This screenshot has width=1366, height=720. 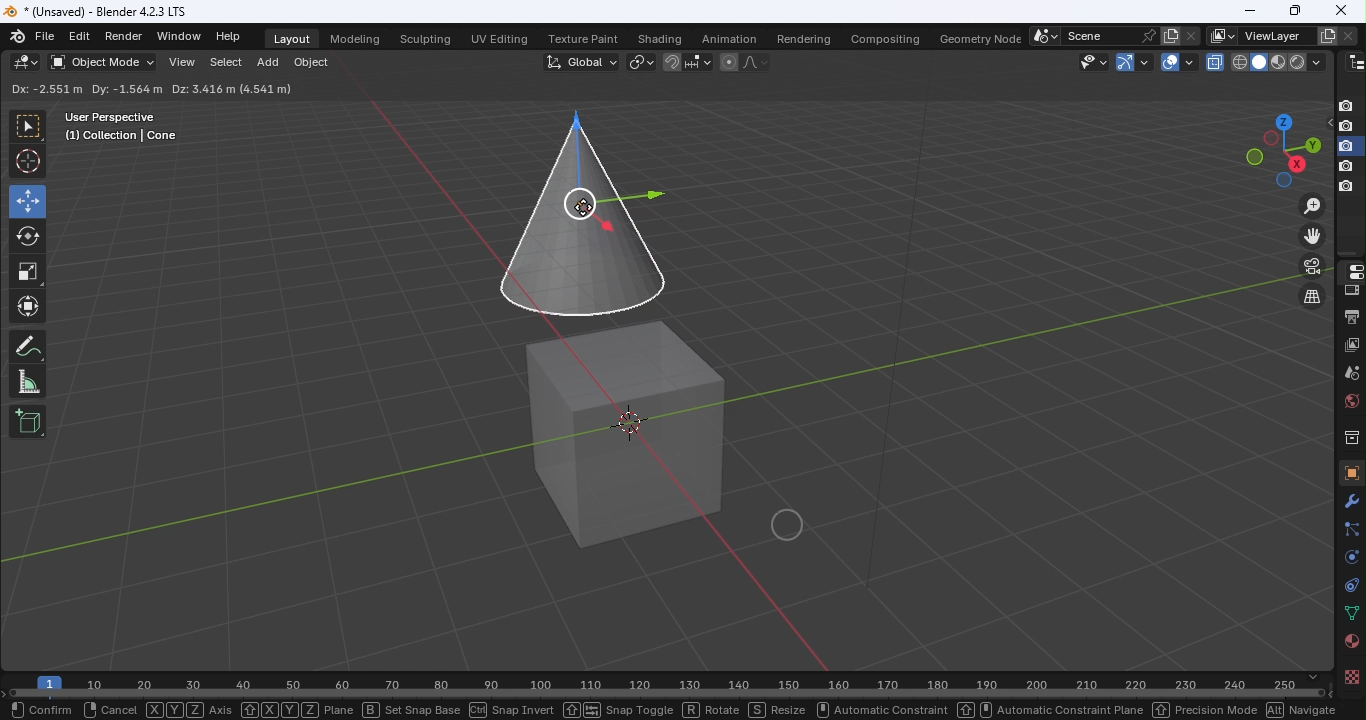 What do you see at coordinates (266, 90) in the screenshot?
I see `Select box` at bounding box center [266, 90].